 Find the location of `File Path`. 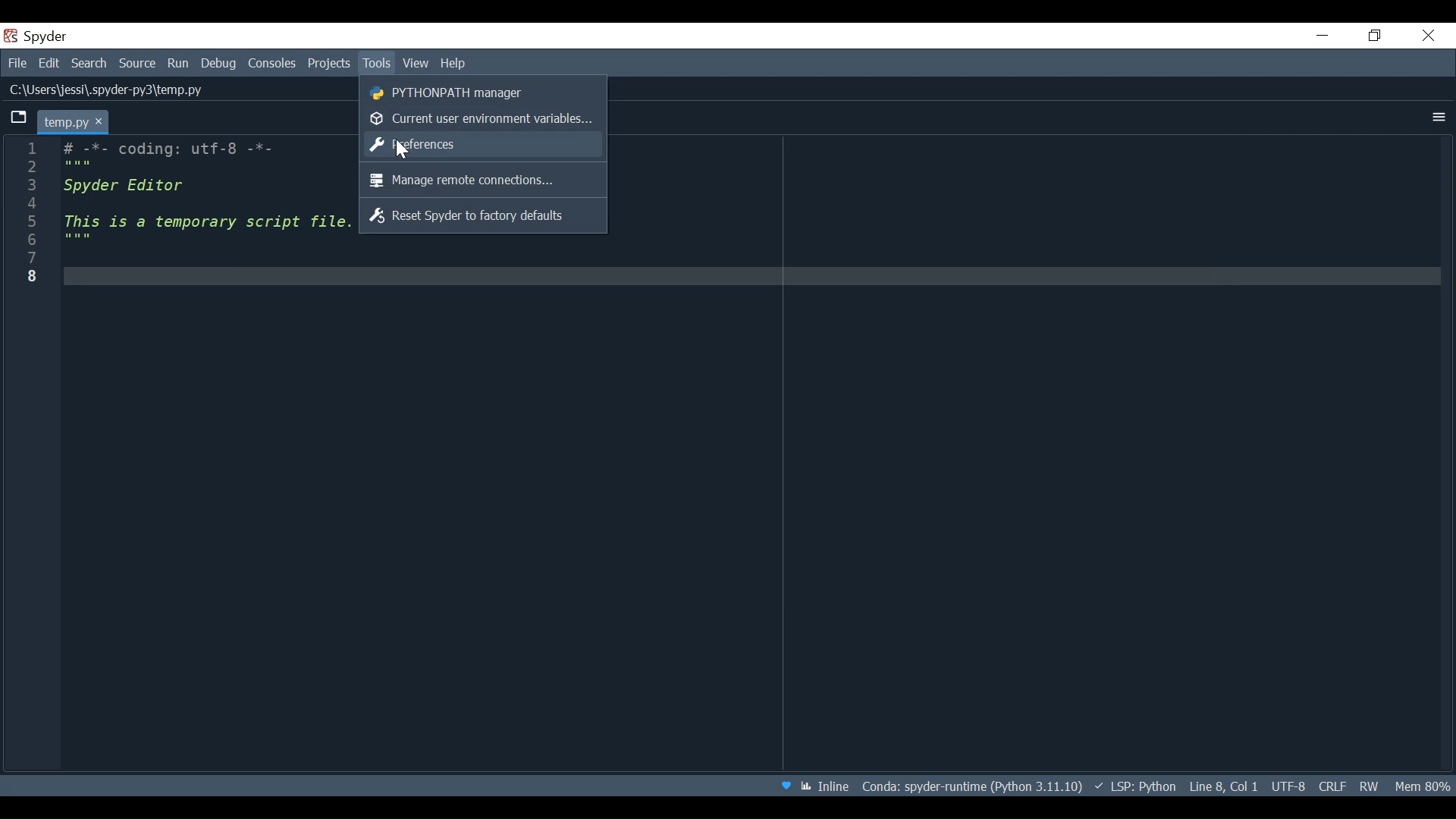

File Path is located at coordinates (108, 91).